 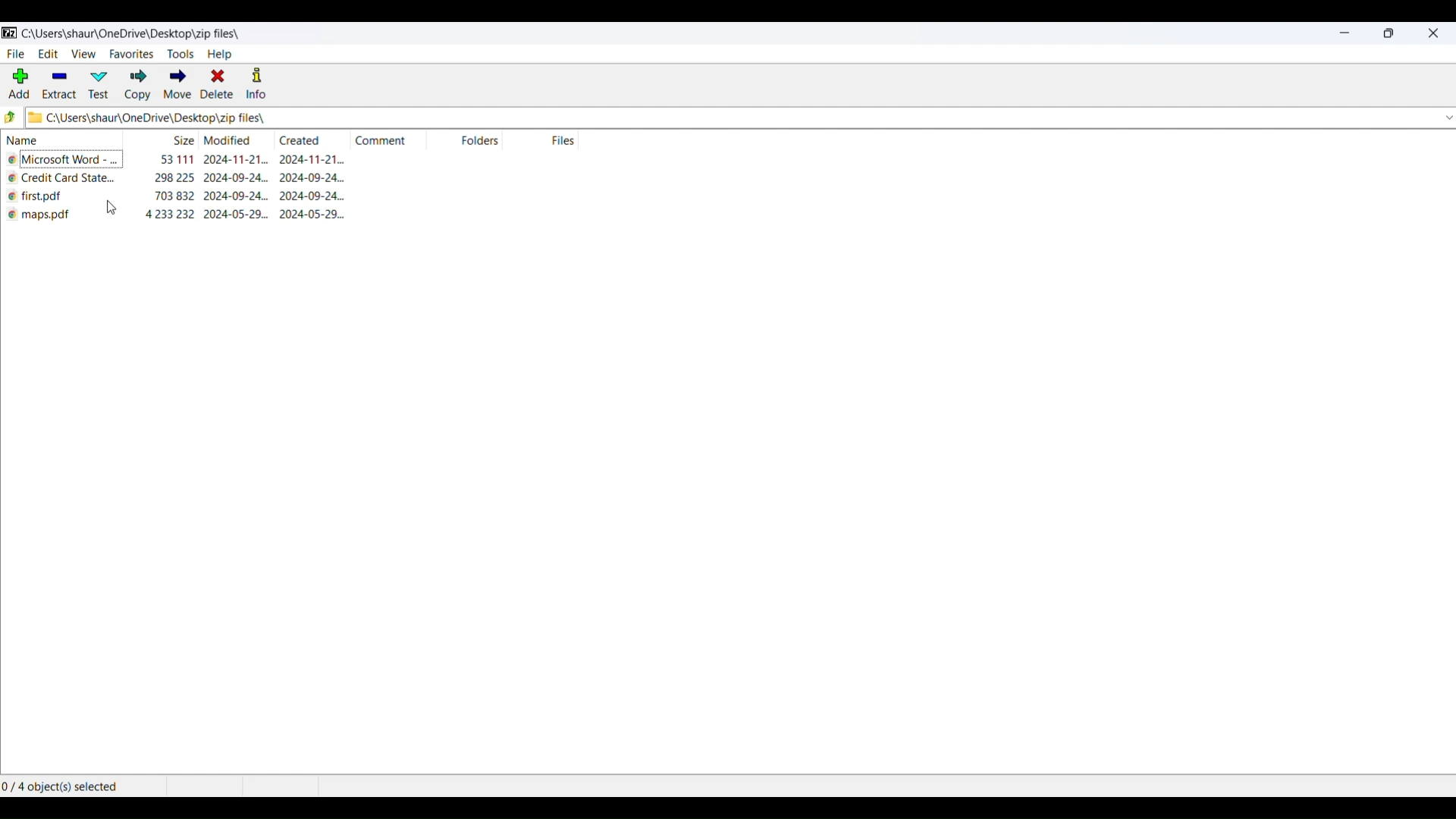 What do you see at coordinates (313, 199) in the screenshot?
I see `file creation date` at bounding box center [313, 199].